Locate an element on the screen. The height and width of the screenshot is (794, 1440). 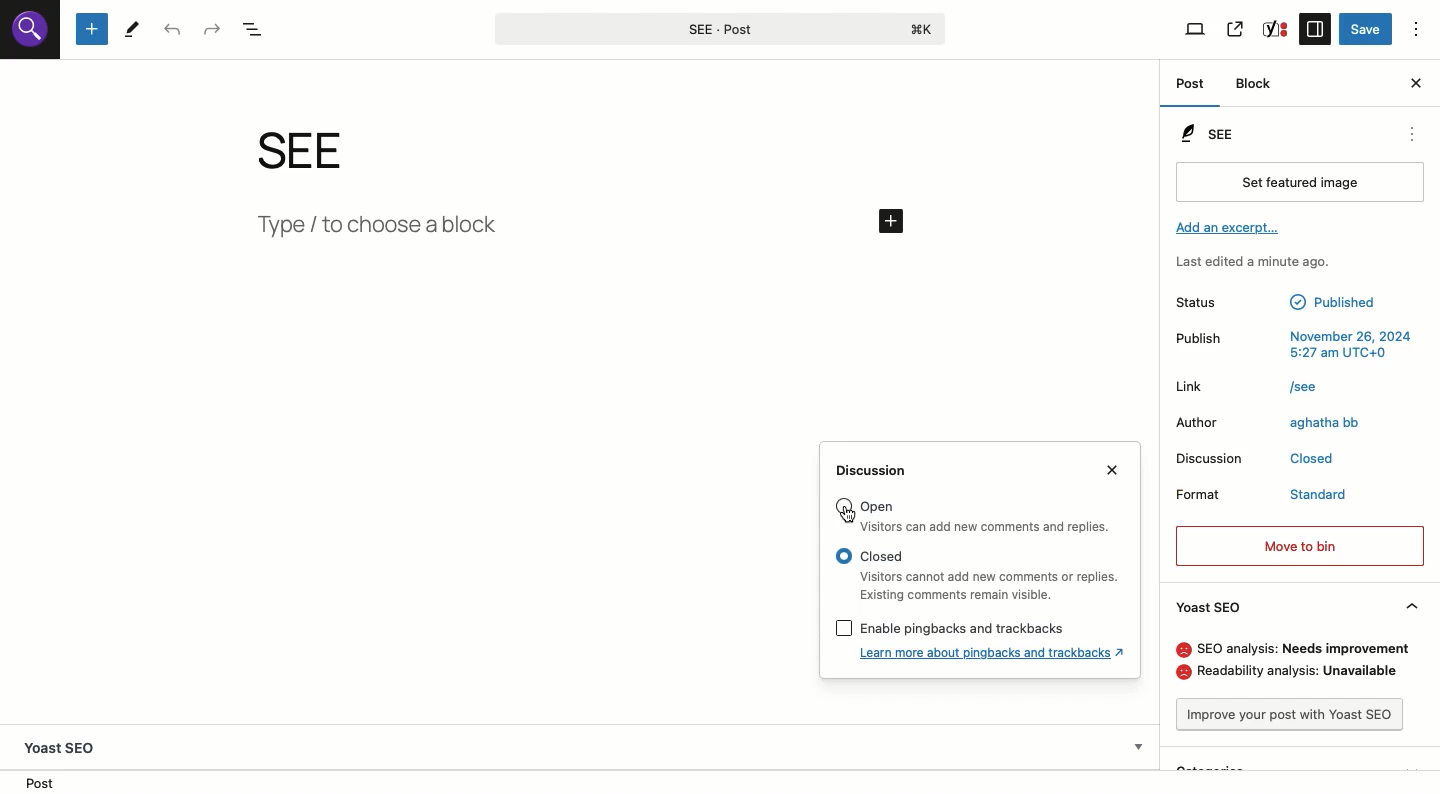
logo is located at coordinates (29, 35).